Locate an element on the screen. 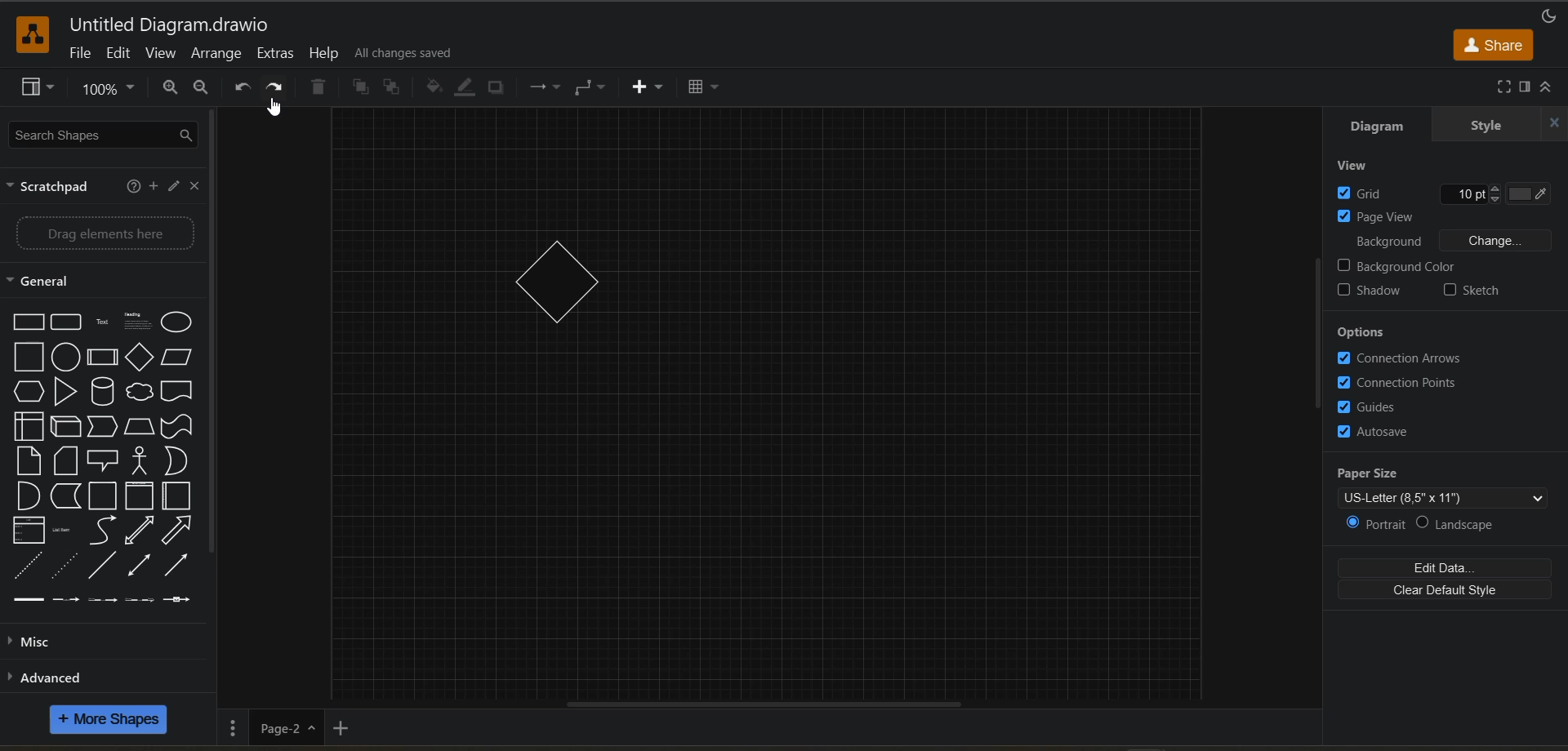 Image resolution: width=1568 pixels, height=751 pixels. ellipse is located at coordinates (179, 323).